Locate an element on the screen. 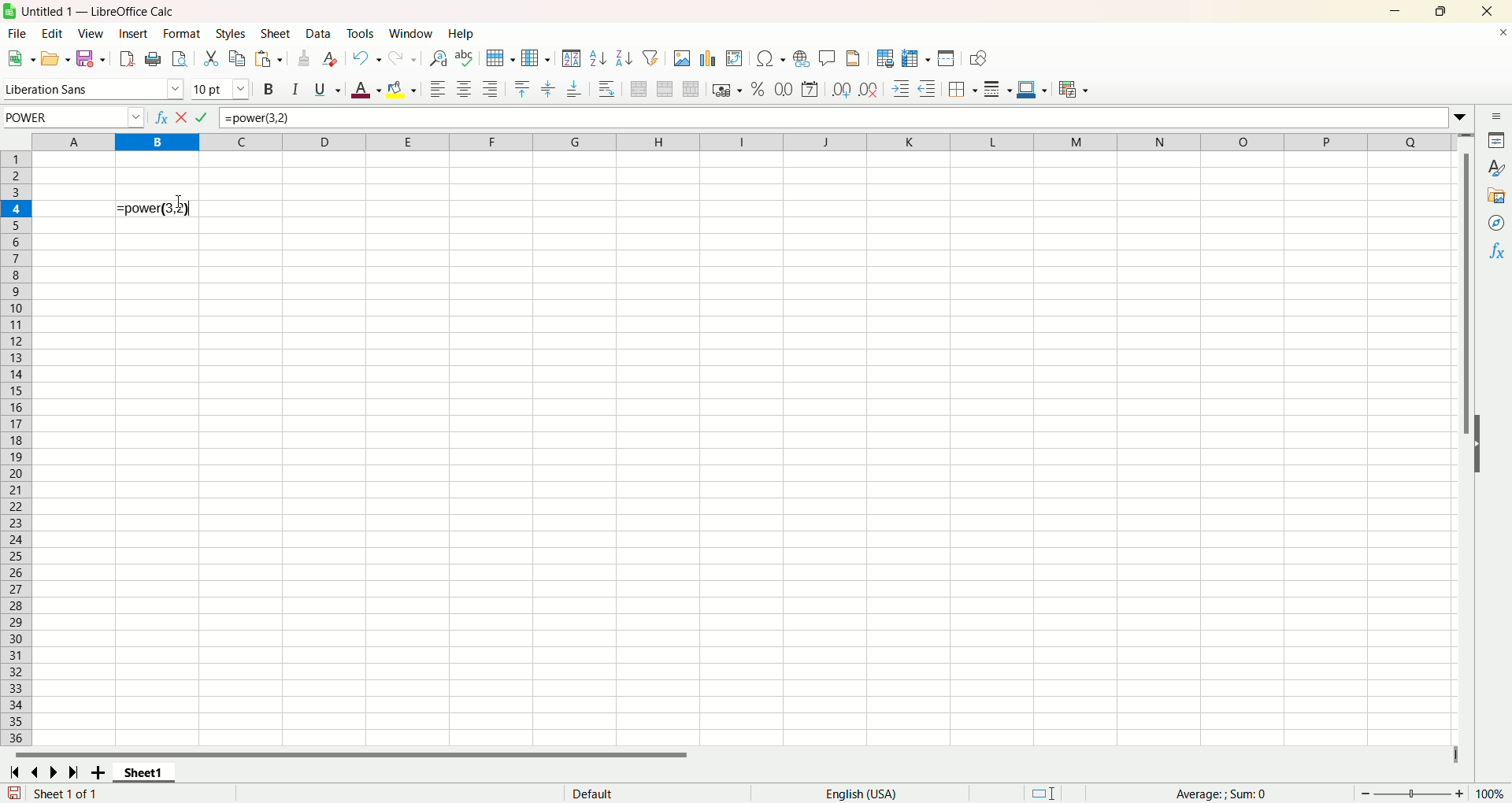 This screenshot has height=803, width=1512. format as percent is located at coordinates (755, 90).